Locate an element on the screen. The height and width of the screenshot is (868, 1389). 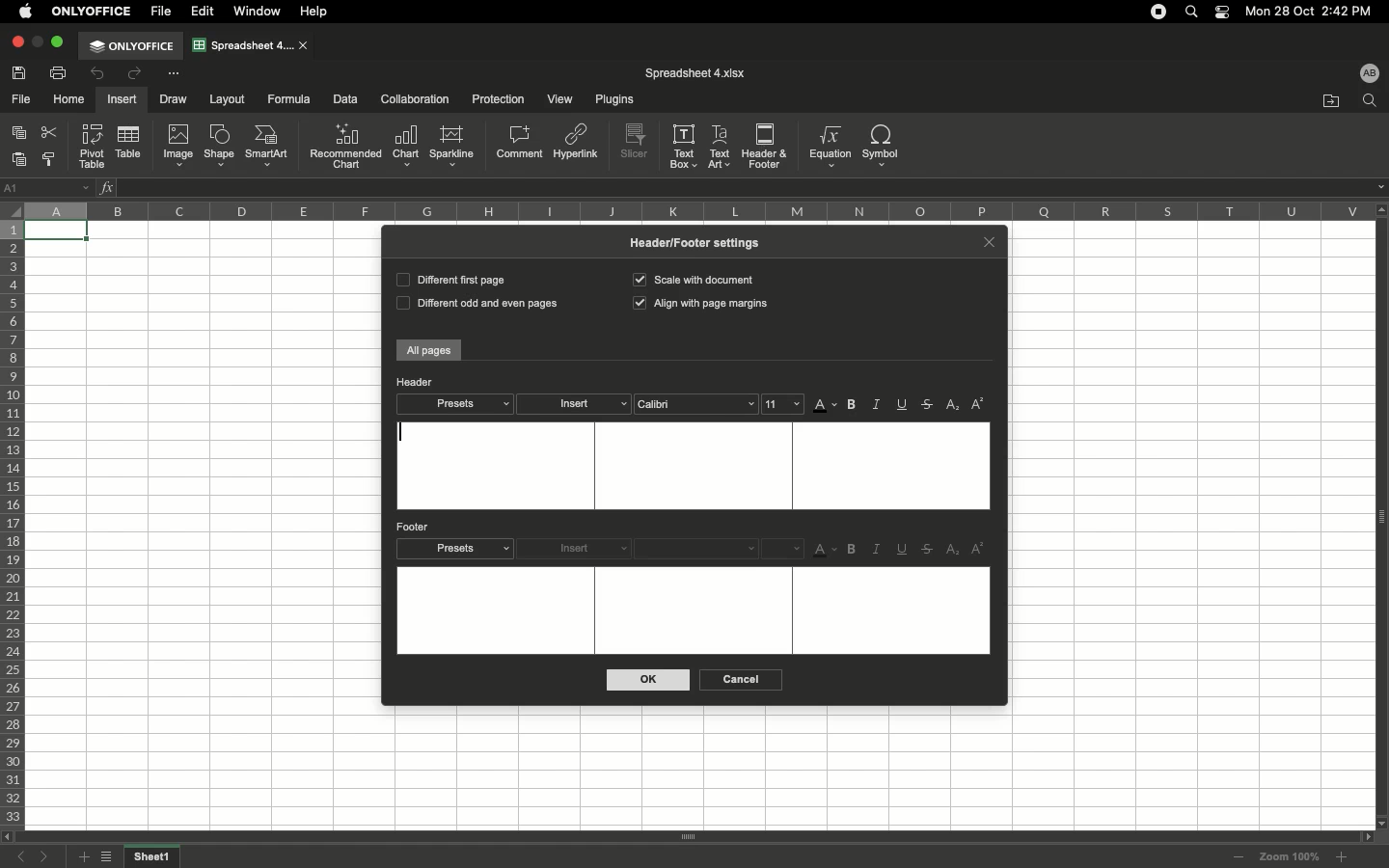
Save is located at coordinates (22, 72).